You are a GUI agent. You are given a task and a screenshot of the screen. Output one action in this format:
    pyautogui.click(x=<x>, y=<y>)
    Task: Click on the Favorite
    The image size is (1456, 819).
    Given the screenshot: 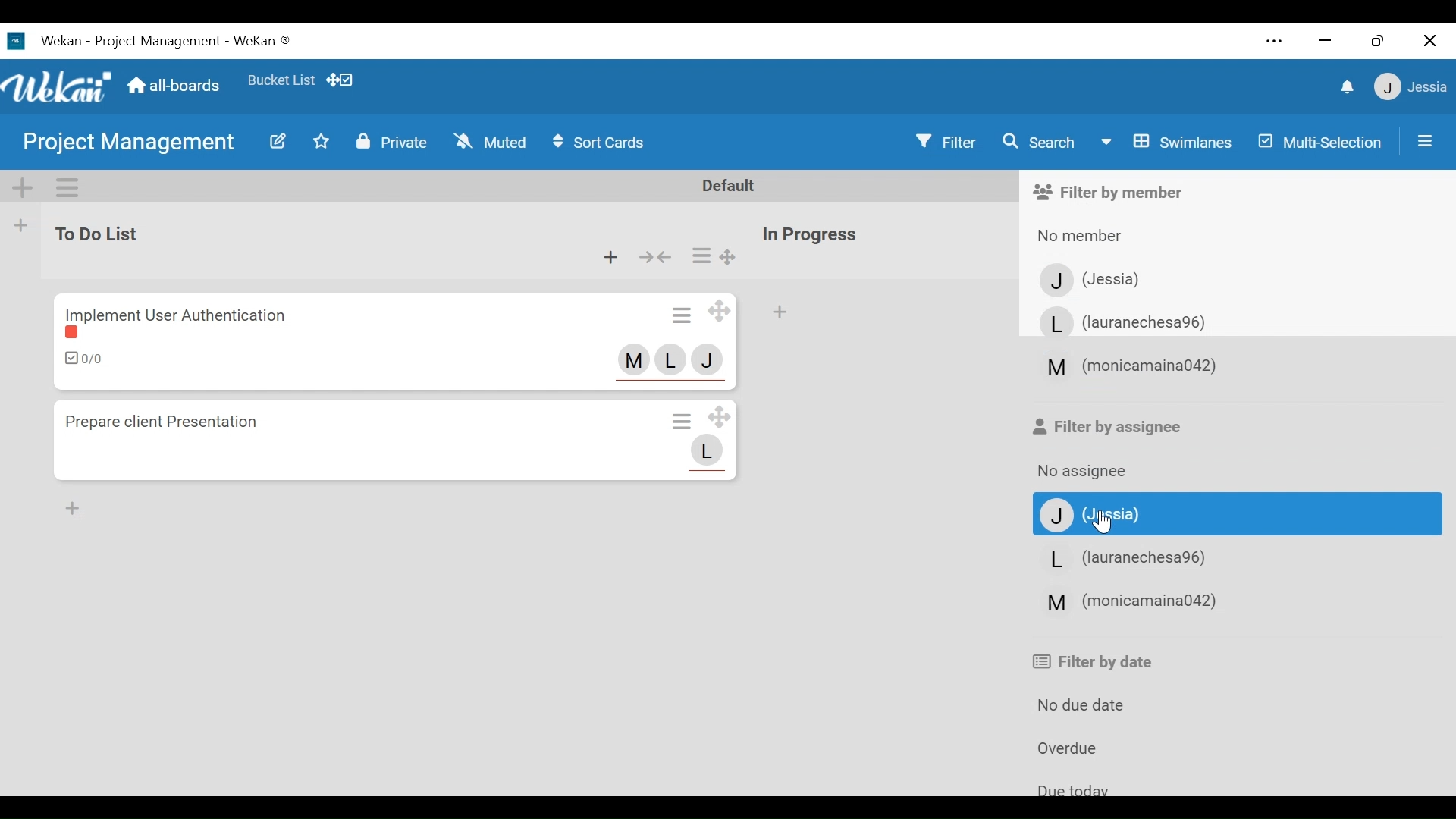 What is the action you would take?
    pyautogui.click(x=280, y=80)
    